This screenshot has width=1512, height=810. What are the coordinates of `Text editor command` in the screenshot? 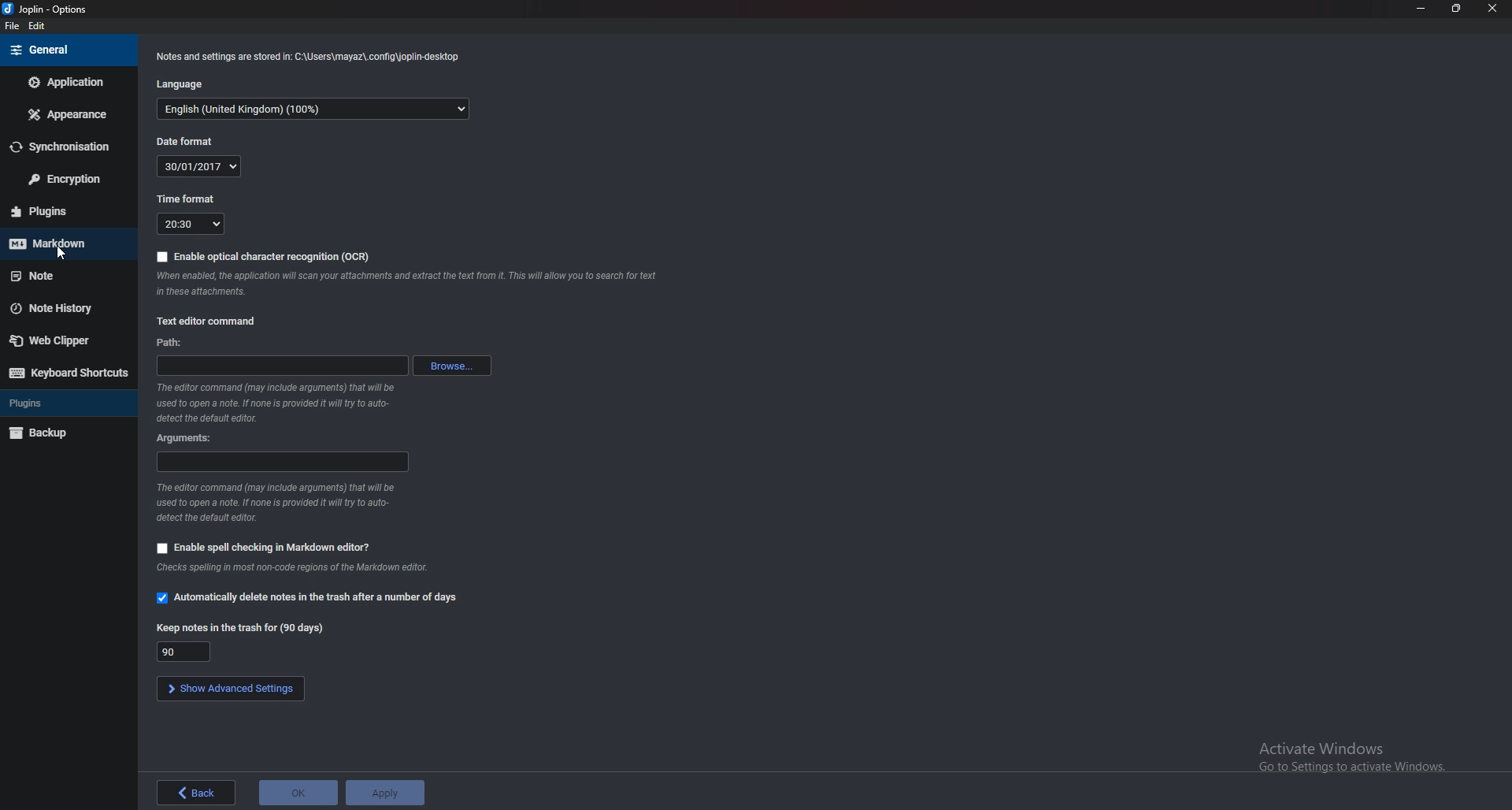 It's located at (207, 321).